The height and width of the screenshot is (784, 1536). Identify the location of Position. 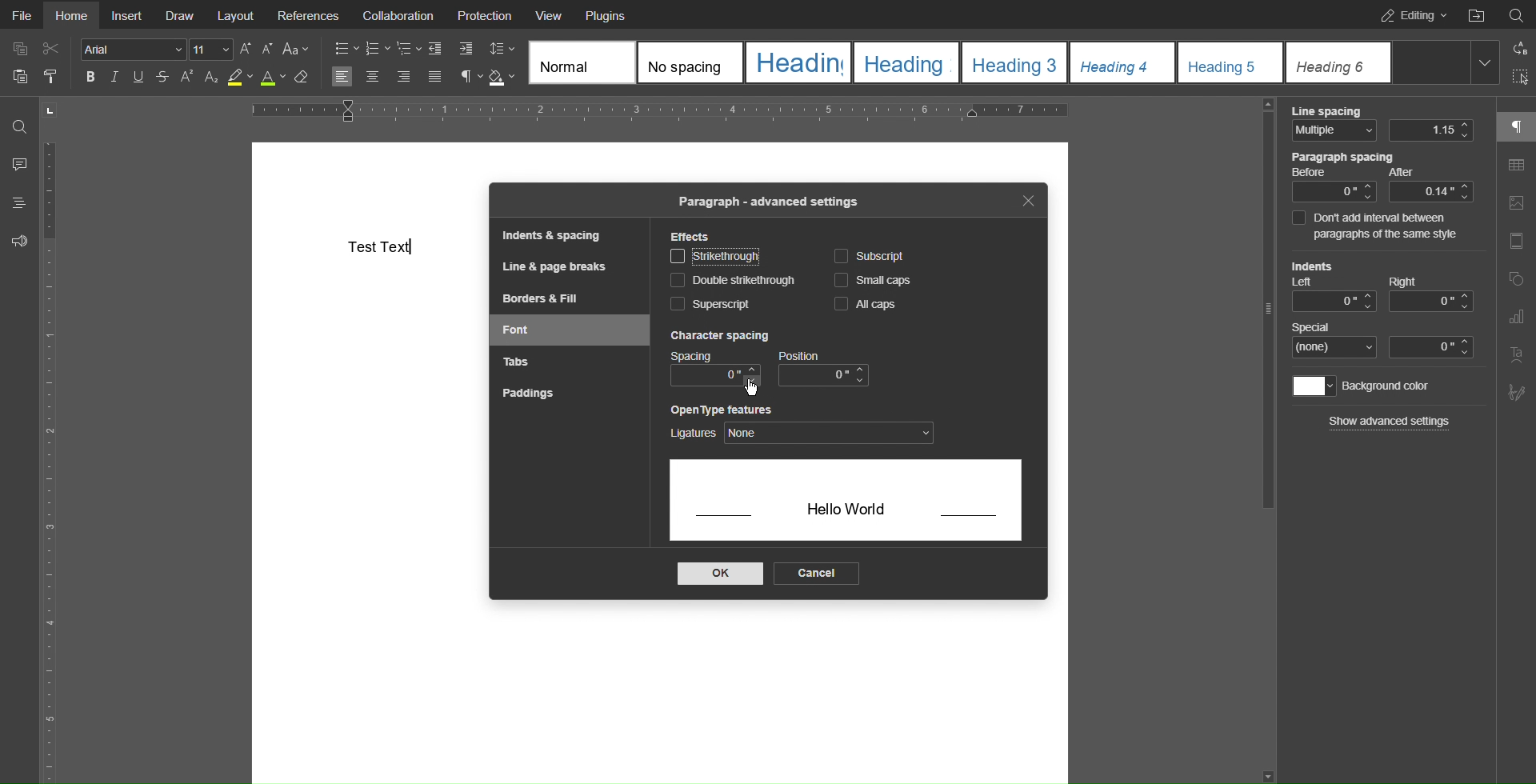
(824, 369).